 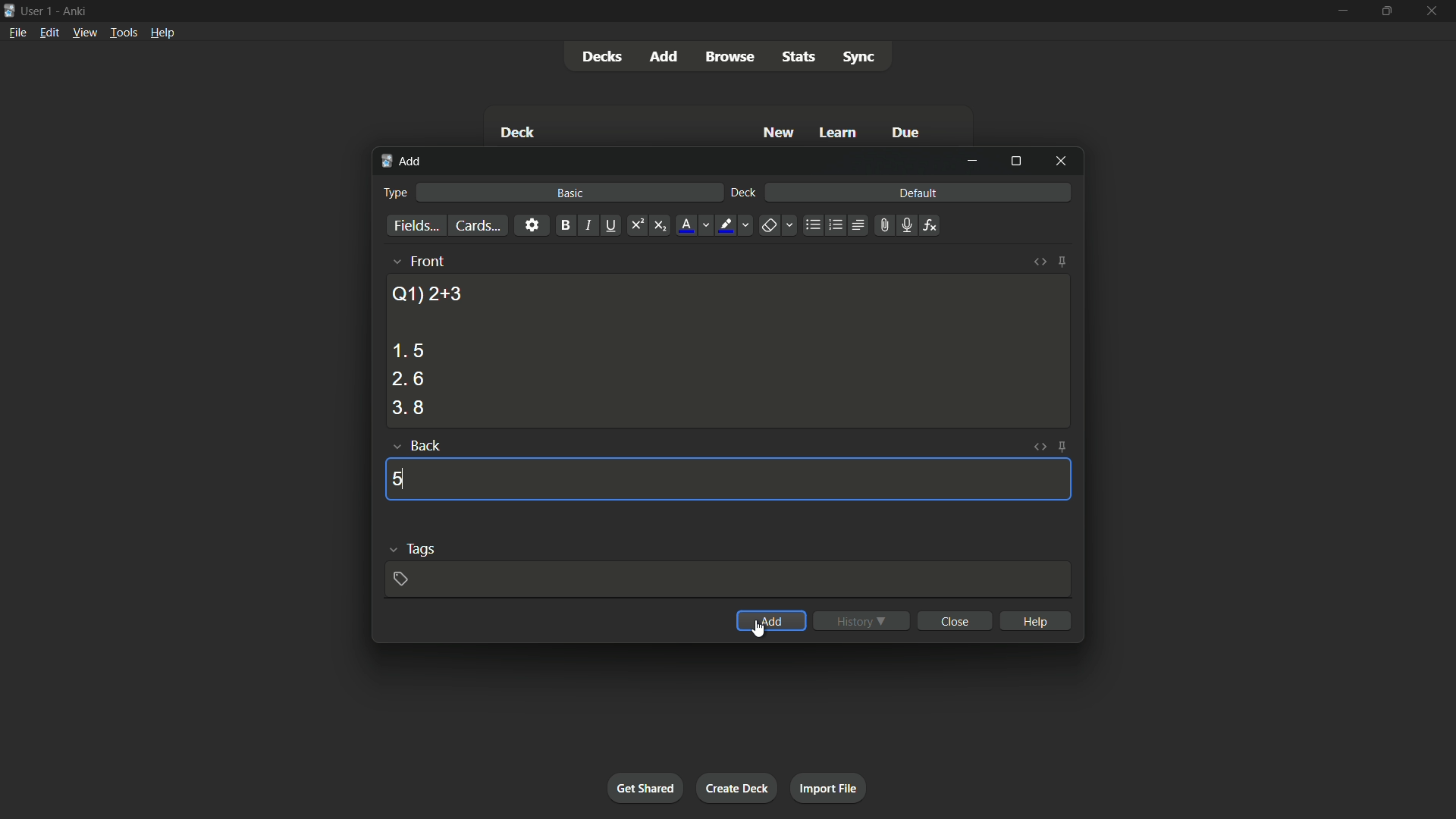 What do you see at coordinates (477, 226) in the screenshot?
I see `cards` at bounding box center [477, 226].